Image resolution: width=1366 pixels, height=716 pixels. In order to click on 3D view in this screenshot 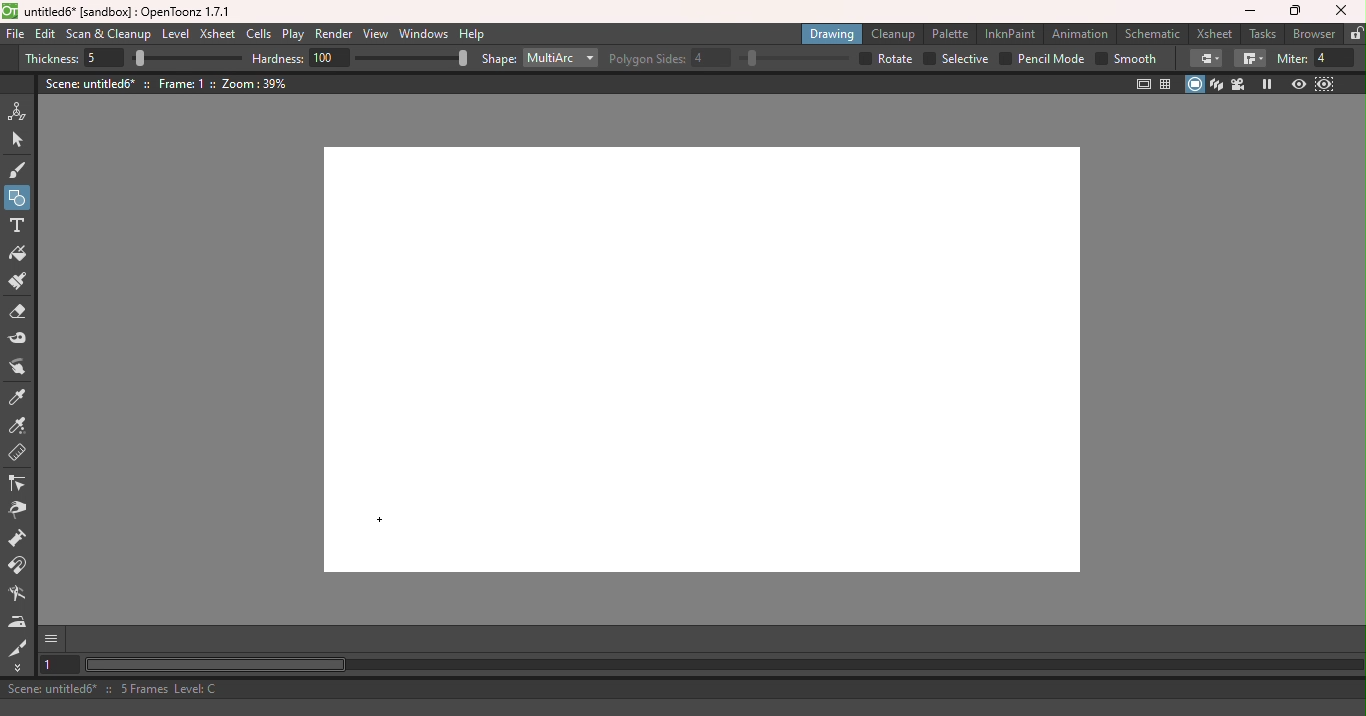, I will do `click(1217, 84)`.